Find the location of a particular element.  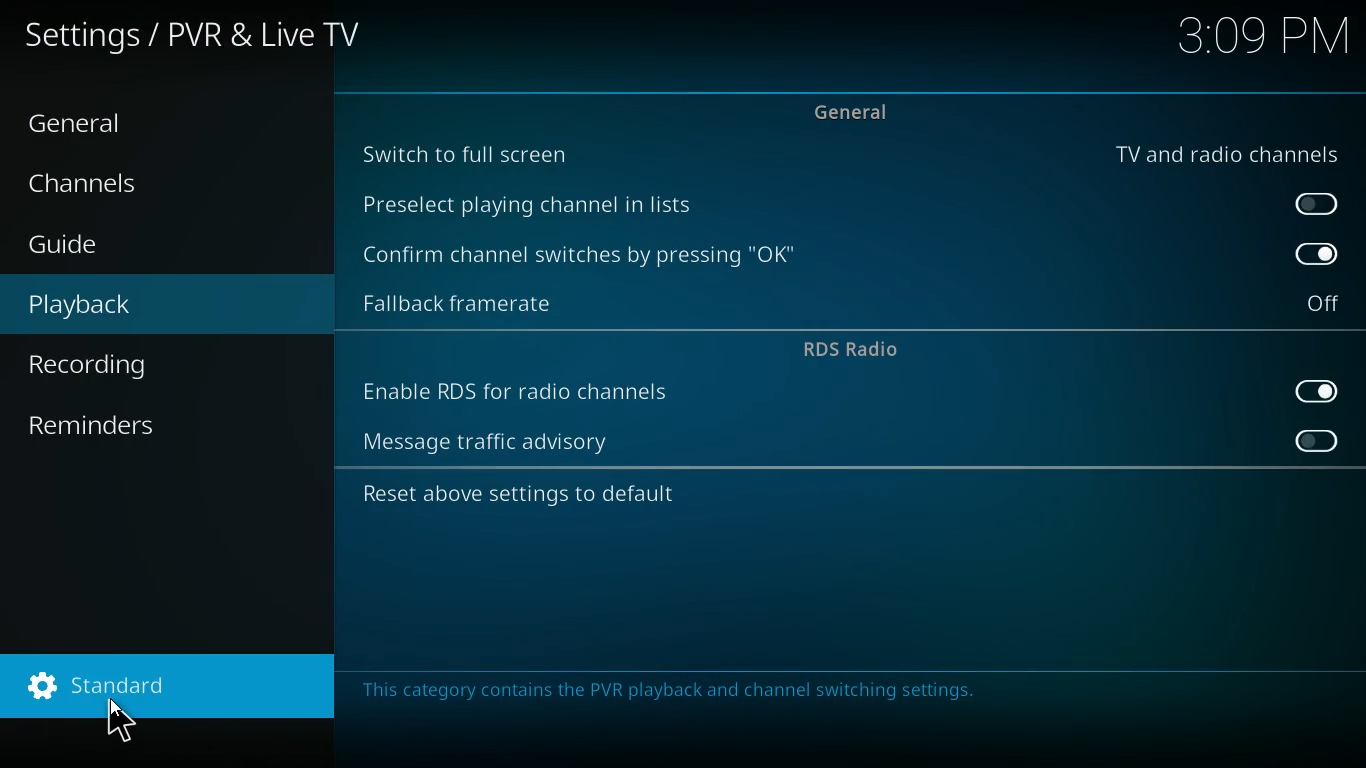

off is located at coordinates (1311, 204).